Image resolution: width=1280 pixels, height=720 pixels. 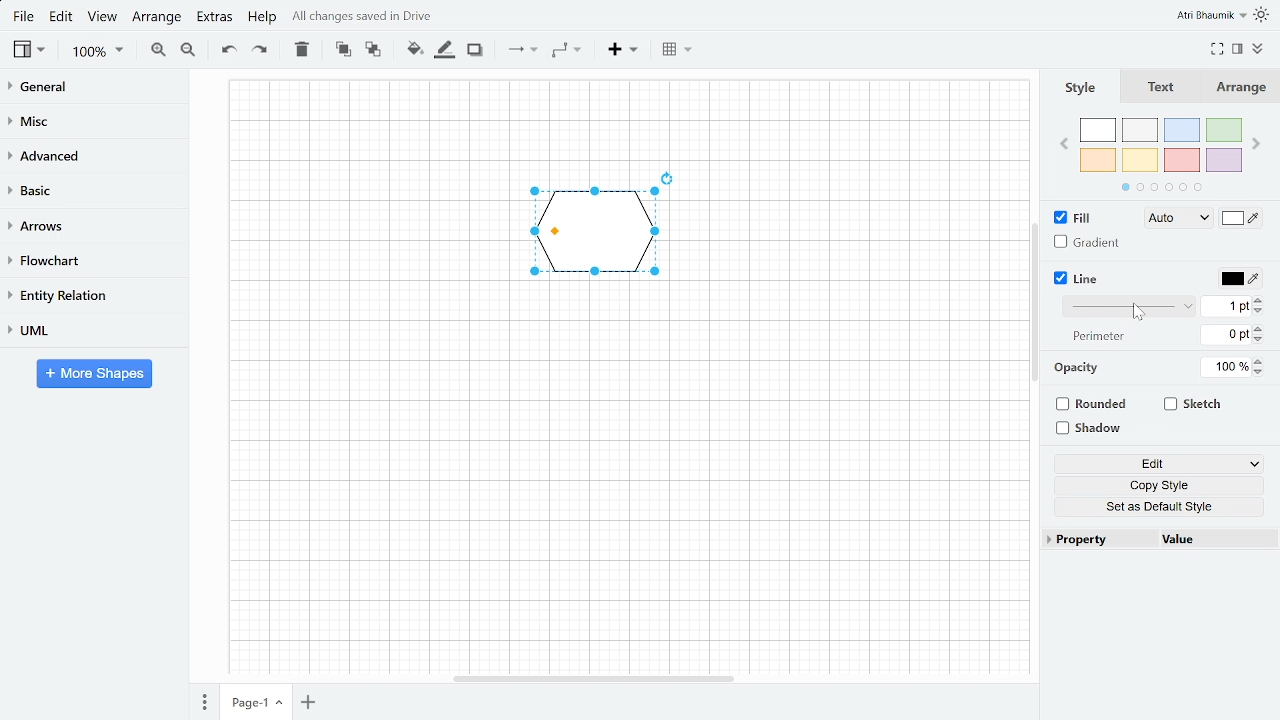 I want to click on Fill line, so click(x=448, y=51).